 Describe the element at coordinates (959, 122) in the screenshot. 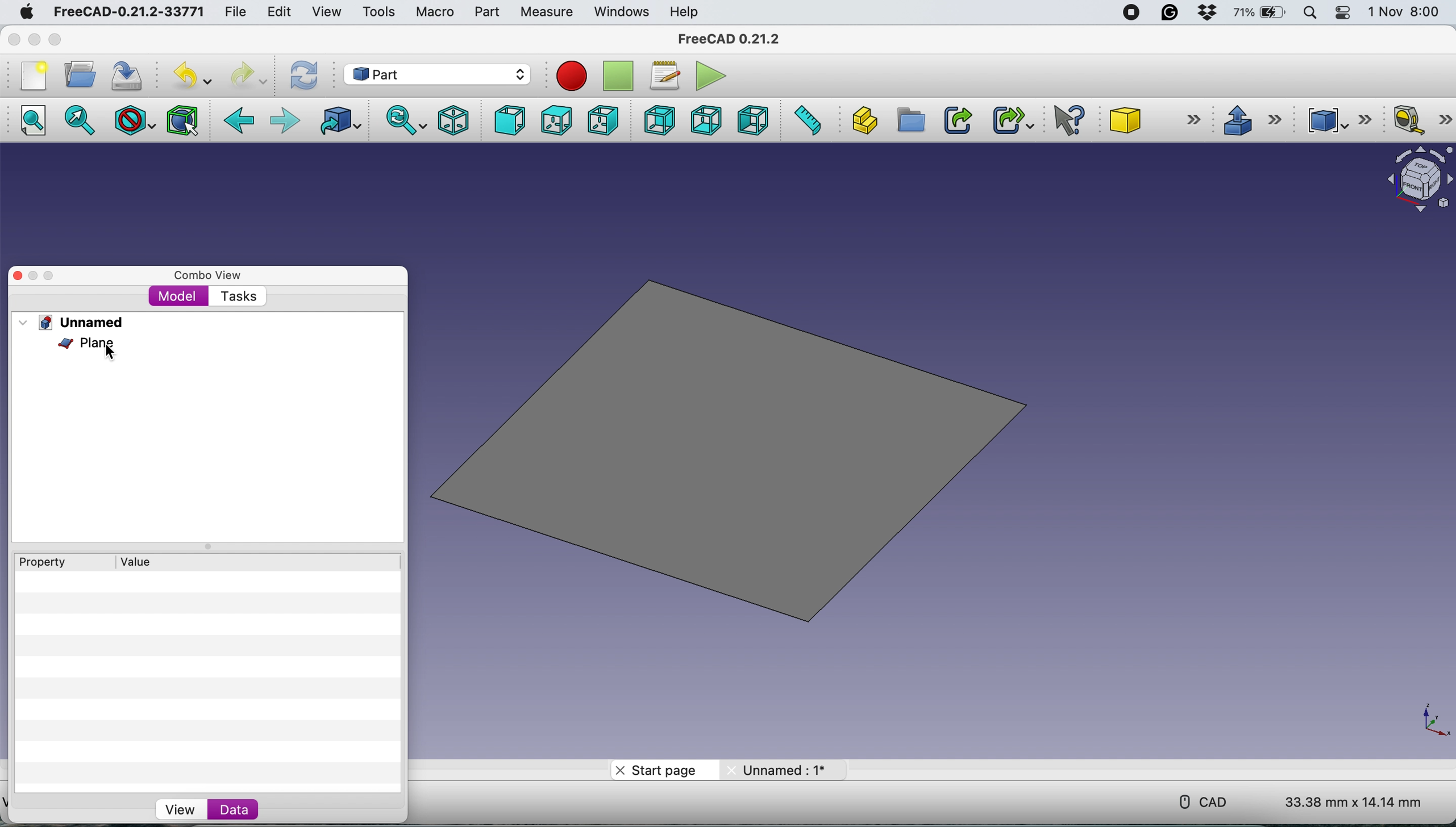

I see `make link` at that location.